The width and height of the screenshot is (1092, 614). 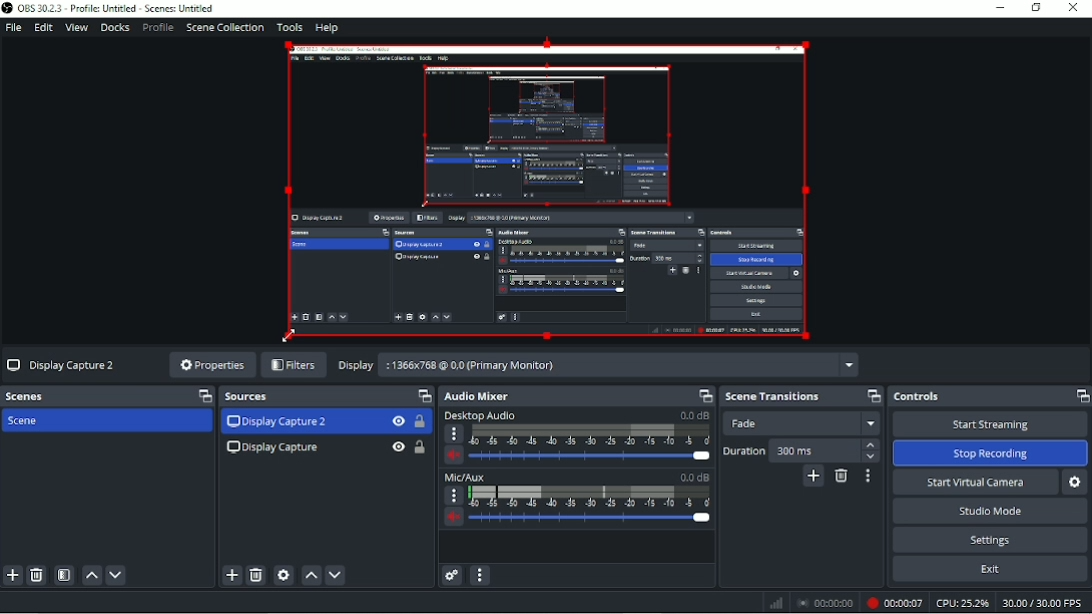 I want to click on Edit, so click(x=43, y=27).